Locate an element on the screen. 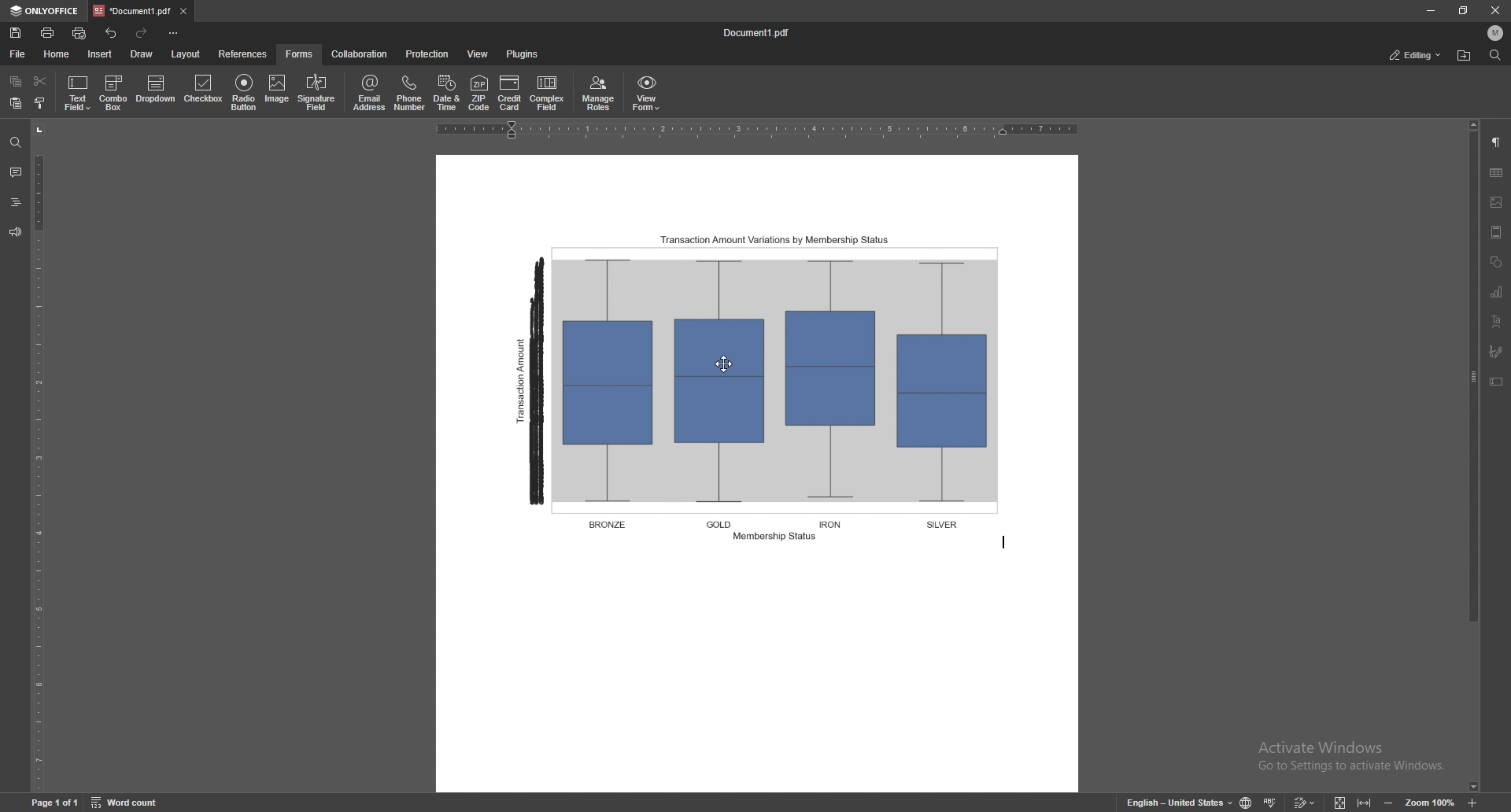  tab is located at coordinates (132, 11).